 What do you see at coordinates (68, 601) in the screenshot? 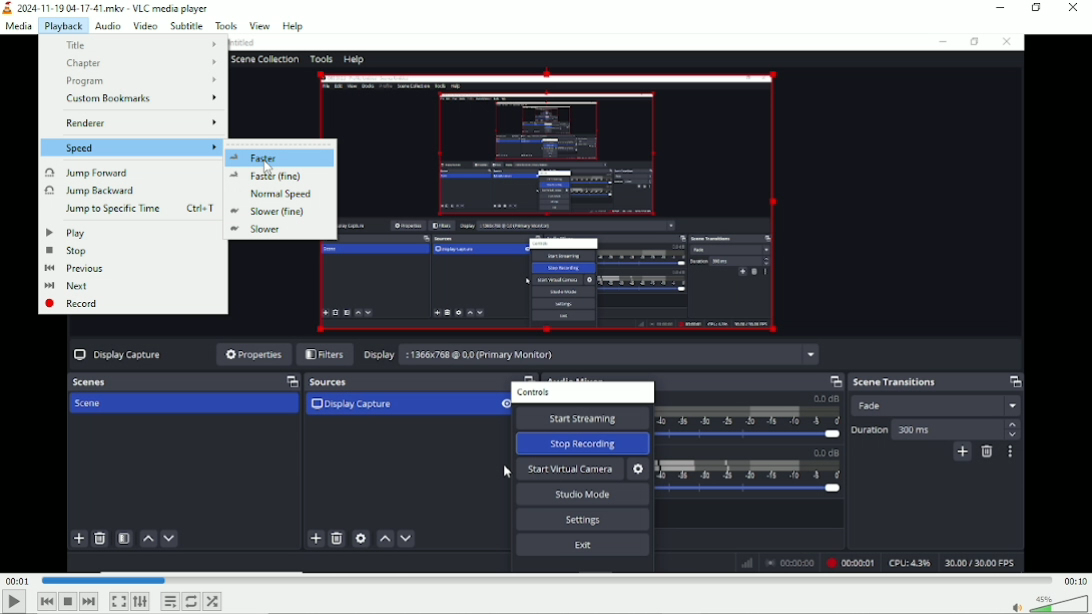
I see `Stop playlist` at bounding box center [68, 601].